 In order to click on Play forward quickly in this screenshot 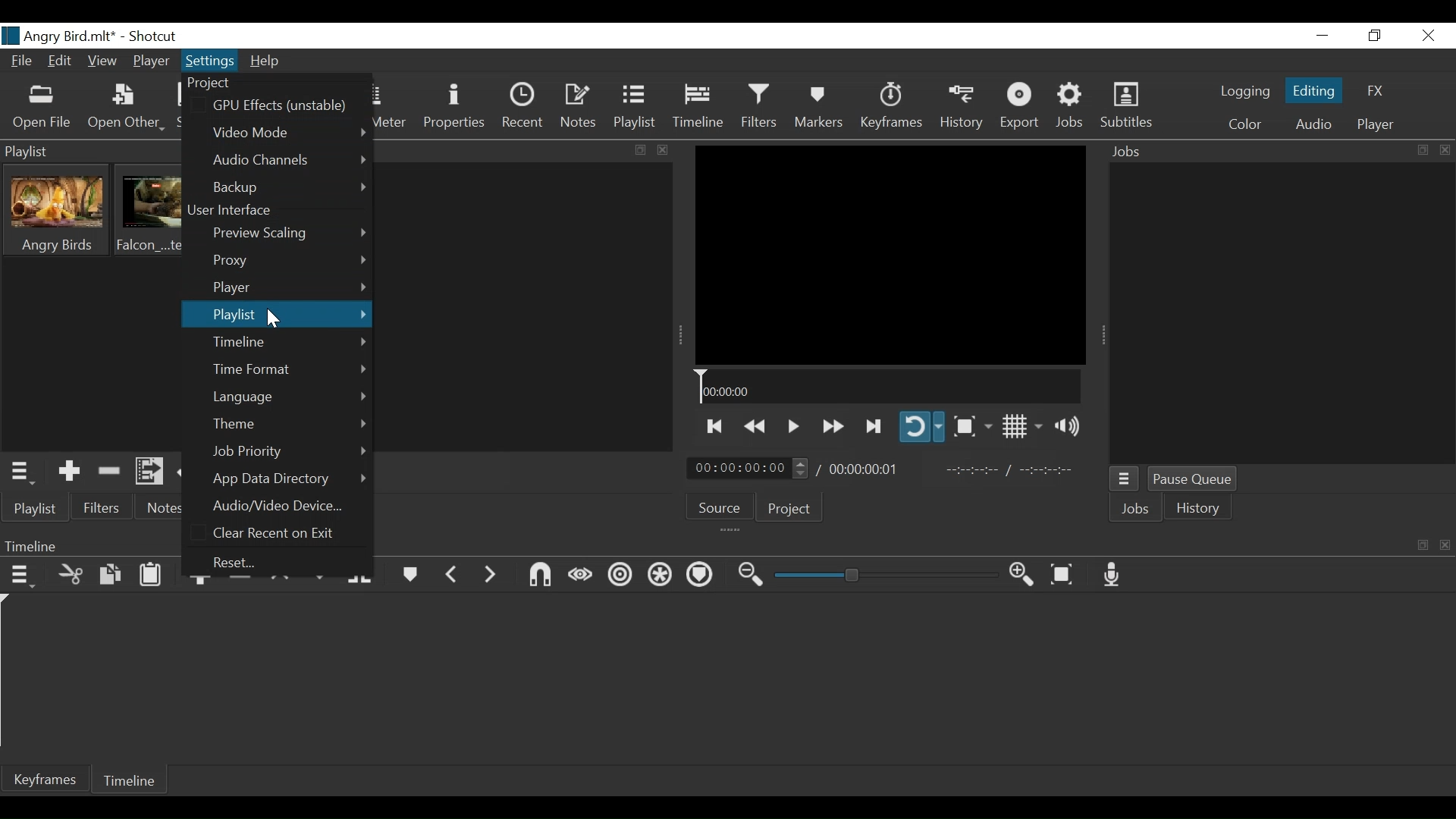, I will do `click(833, 427)`.